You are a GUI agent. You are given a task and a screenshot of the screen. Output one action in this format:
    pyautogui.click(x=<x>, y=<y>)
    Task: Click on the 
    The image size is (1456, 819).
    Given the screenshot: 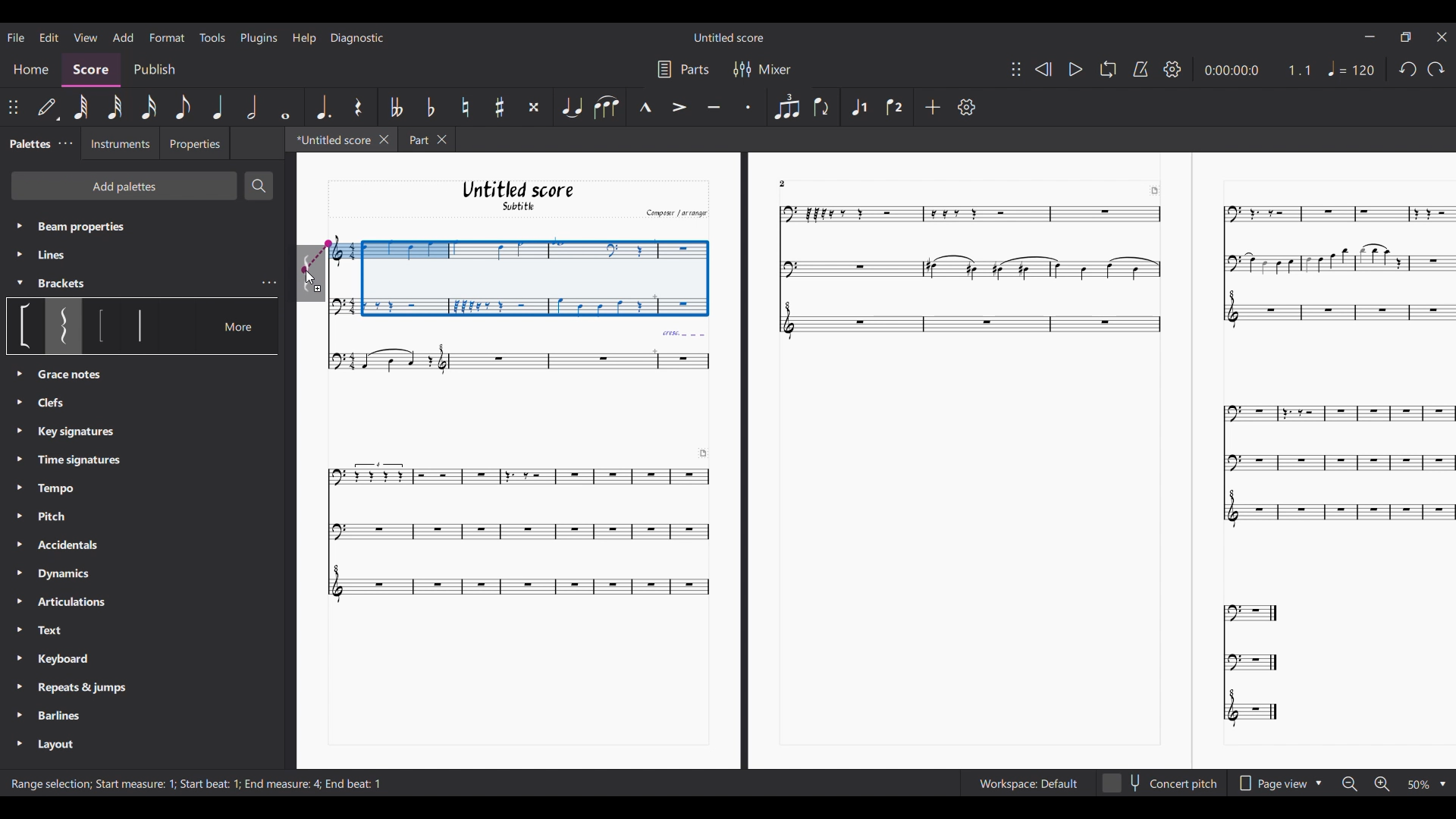 What is the action you would take?
    pyautogui.click(x=17, y=403)
    